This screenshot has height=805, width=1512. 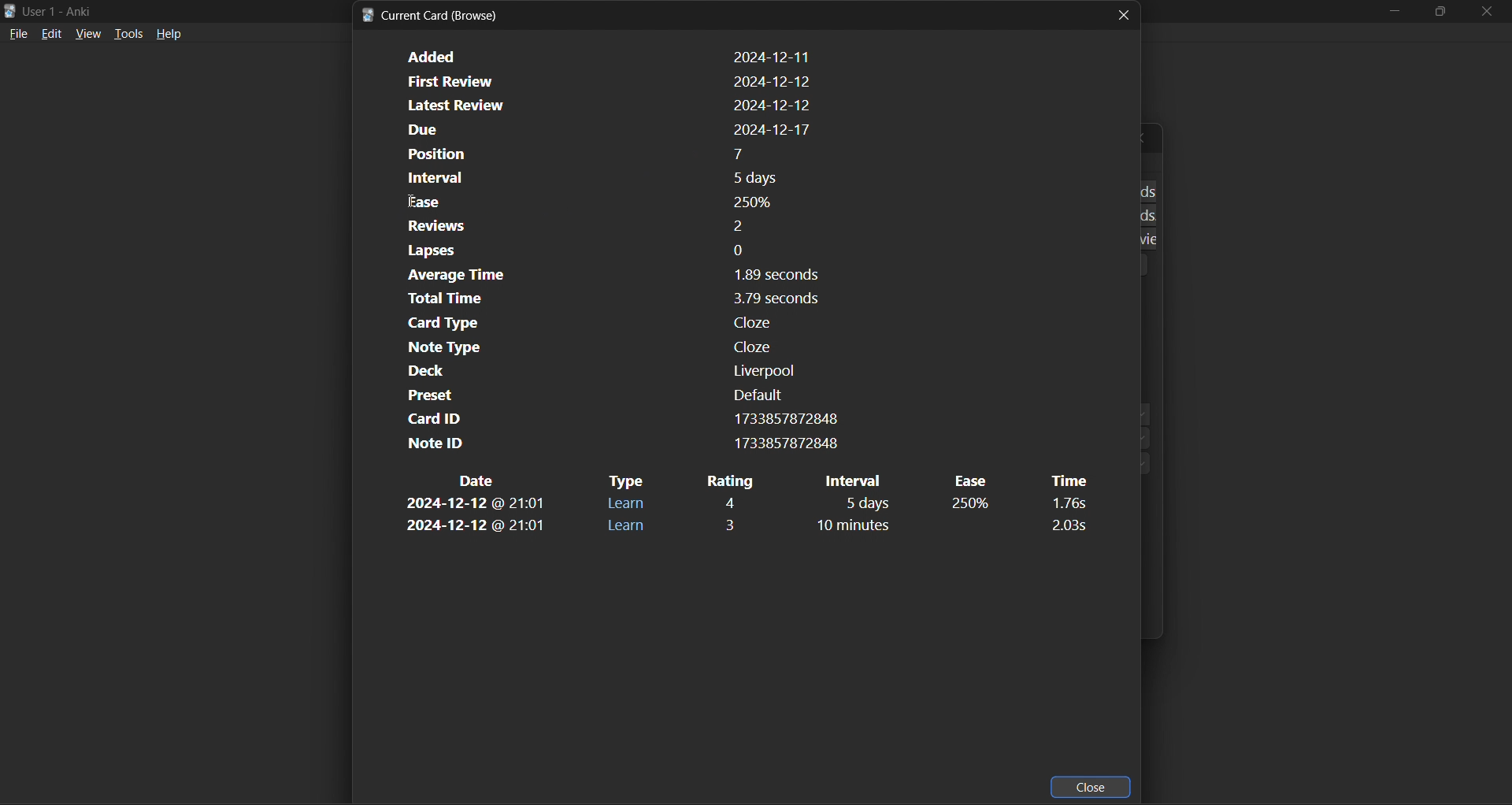 I want to click on maximize/restore, so click(x=1438, y=10).